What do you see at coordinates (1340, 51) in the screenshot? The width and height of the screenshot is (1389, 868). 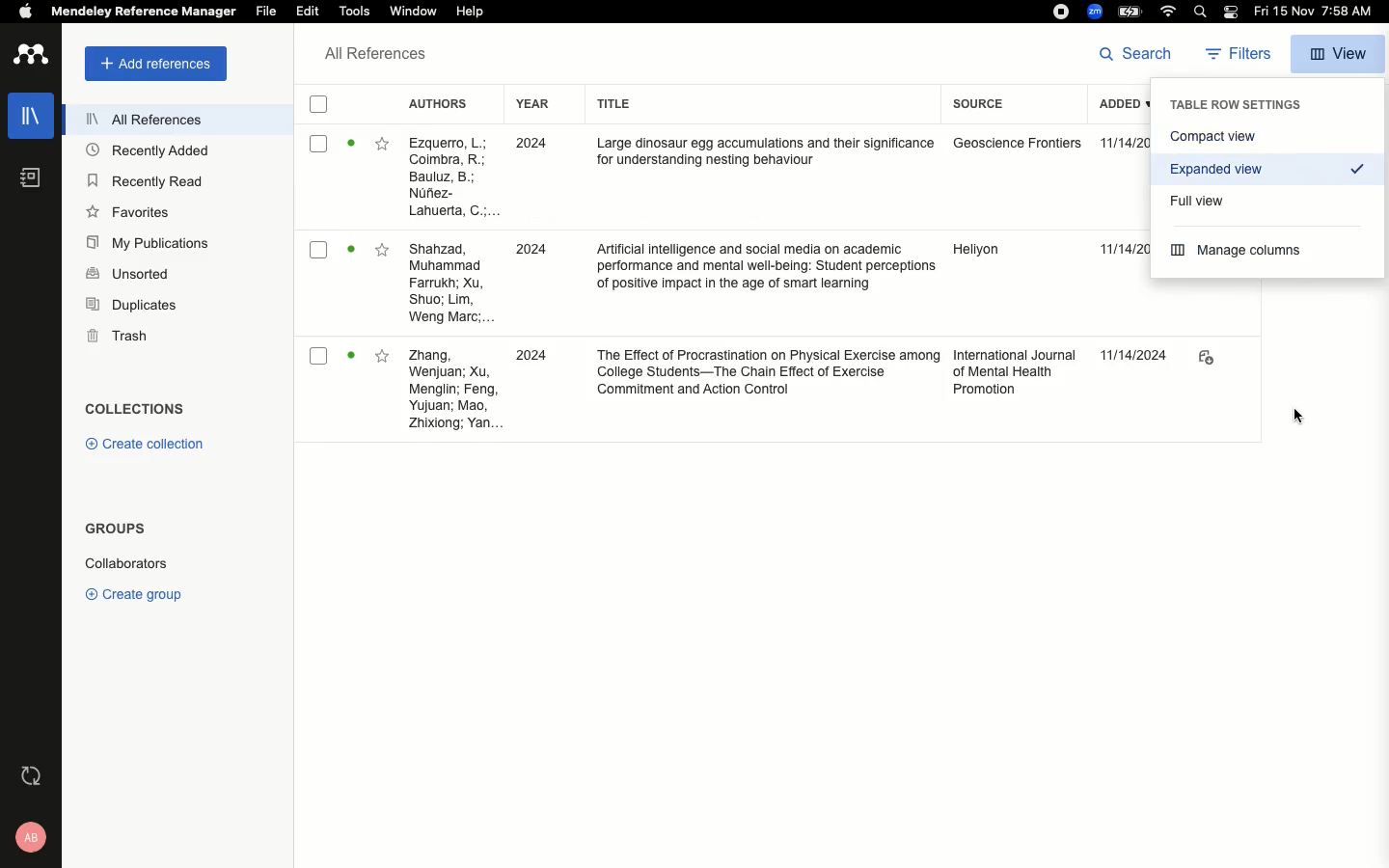 I see `Clicked on view` at bounding box center [1340, 51].